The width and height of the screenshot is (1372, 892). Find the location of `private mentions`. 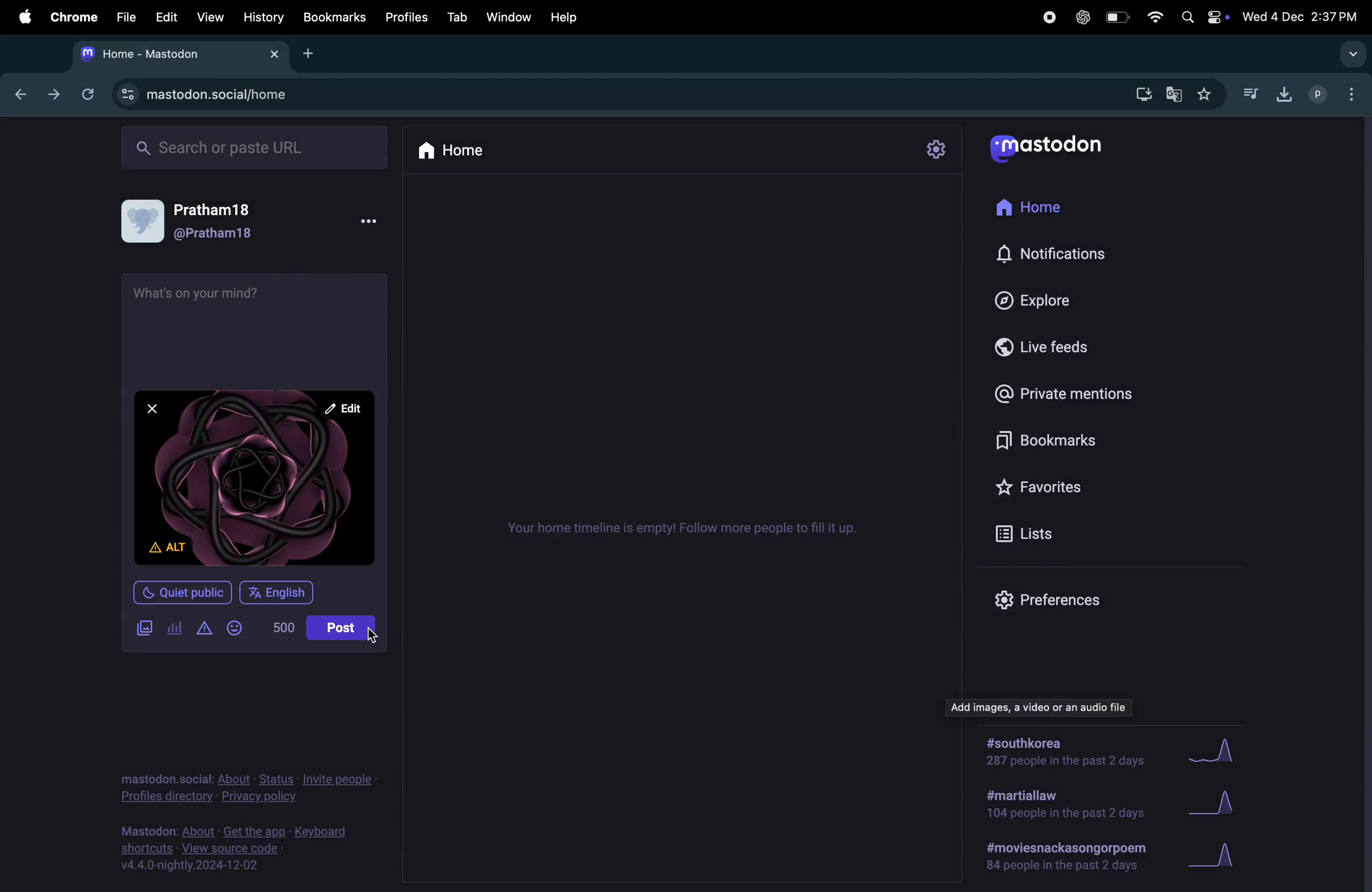

private mentions is located at coordinates (1068, 393).